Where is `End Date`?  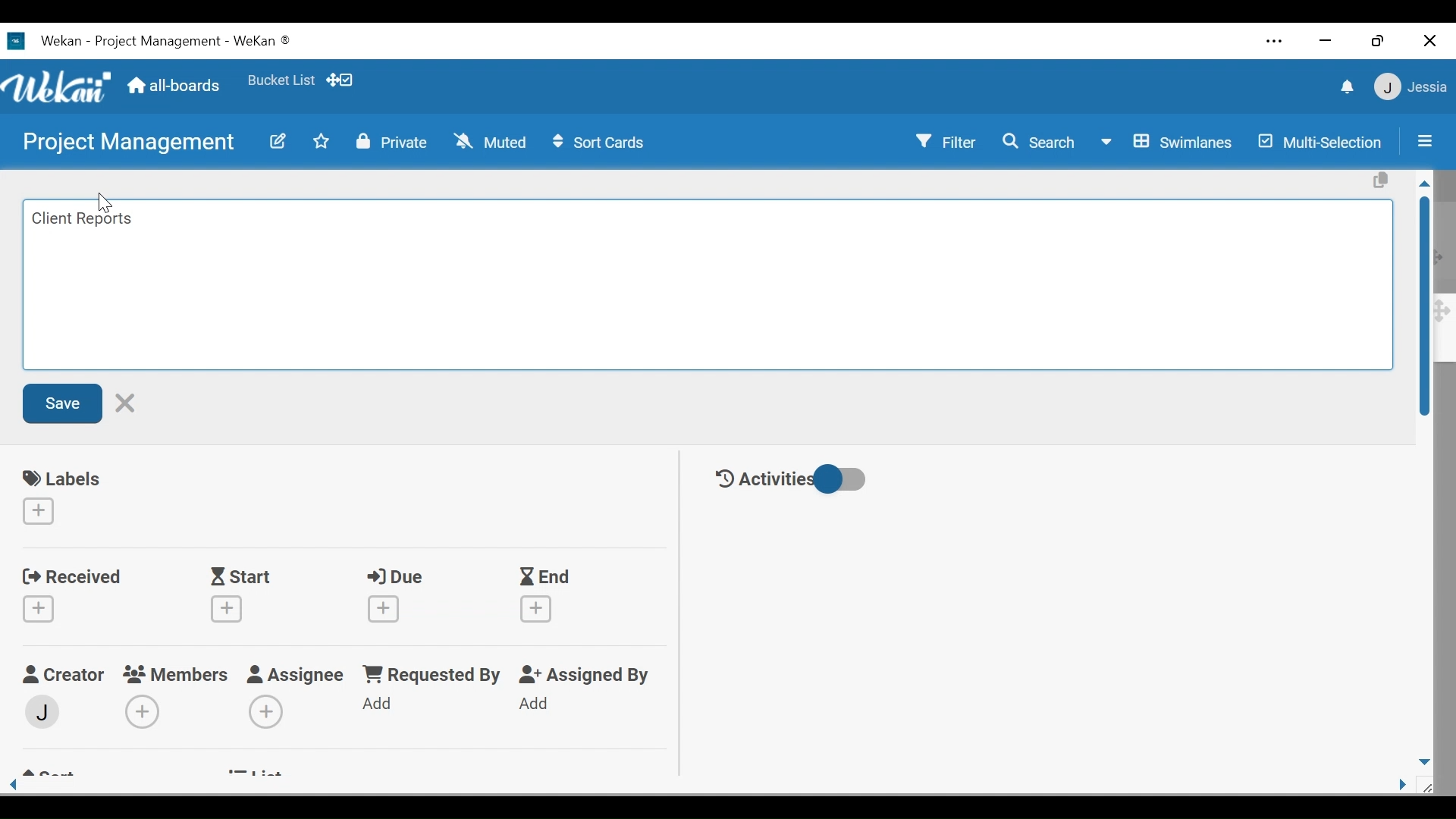
End Date is located at coordinates (547, 576).